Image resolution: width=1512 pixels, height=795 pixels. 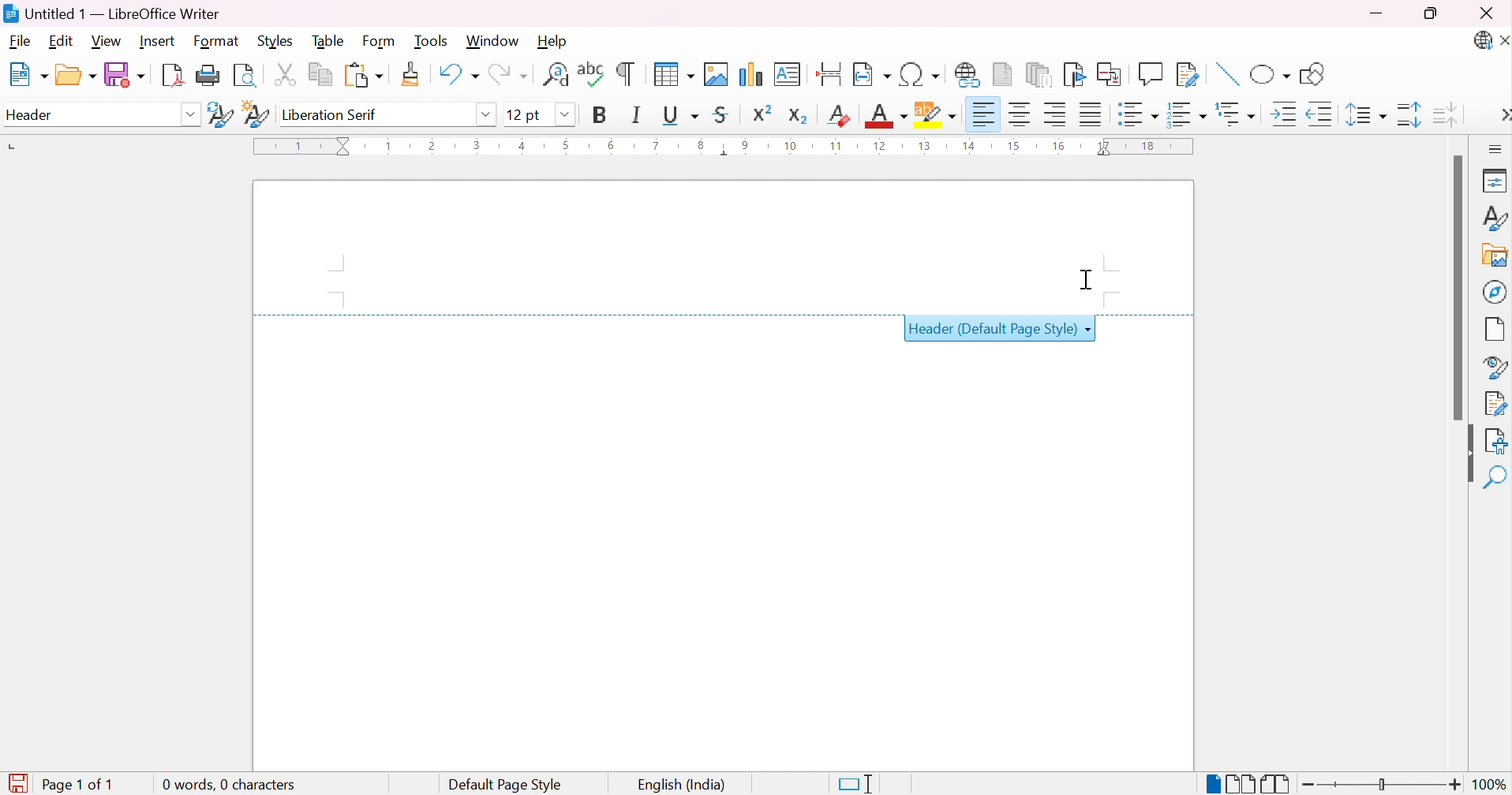 I want to click on Bold, so click(x=602, y=116).